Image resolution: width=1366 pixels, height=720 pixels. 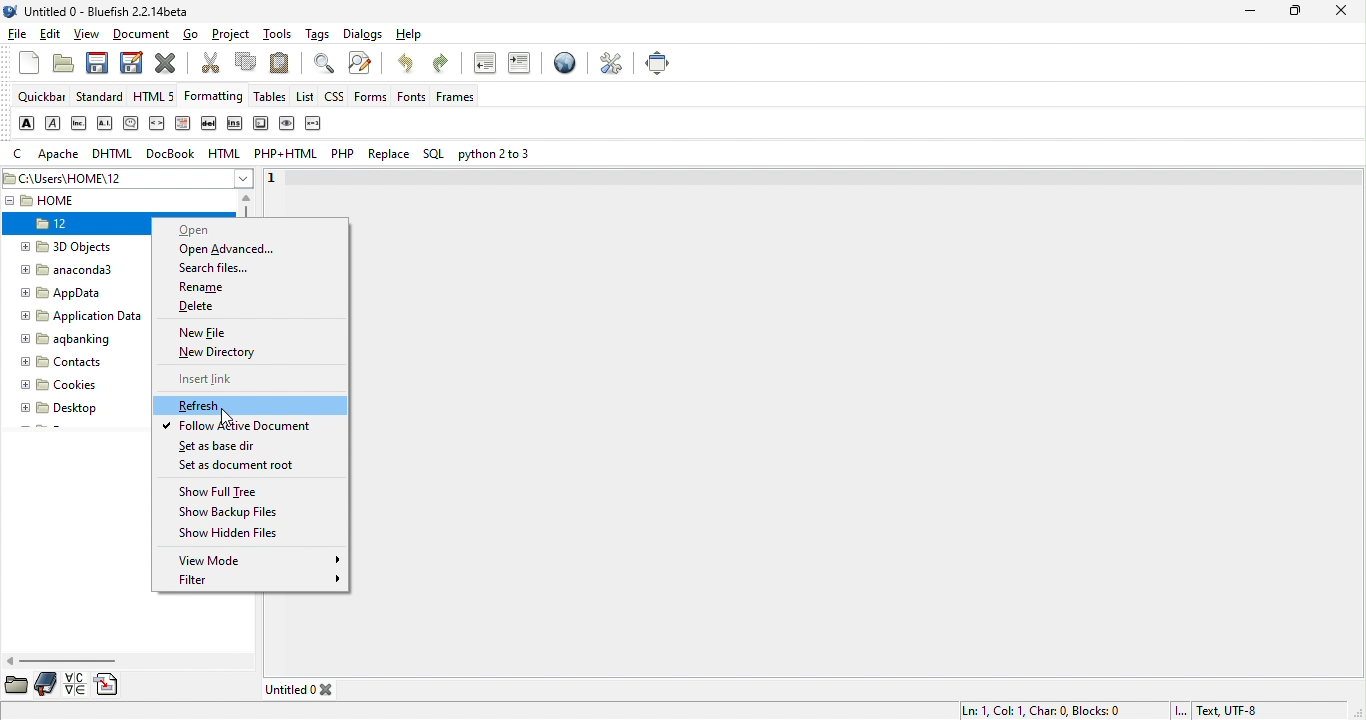 What do you see at coordinates (562, 65) in the screenshot?
I see `preview in browser` at bounding box center [562, 65].